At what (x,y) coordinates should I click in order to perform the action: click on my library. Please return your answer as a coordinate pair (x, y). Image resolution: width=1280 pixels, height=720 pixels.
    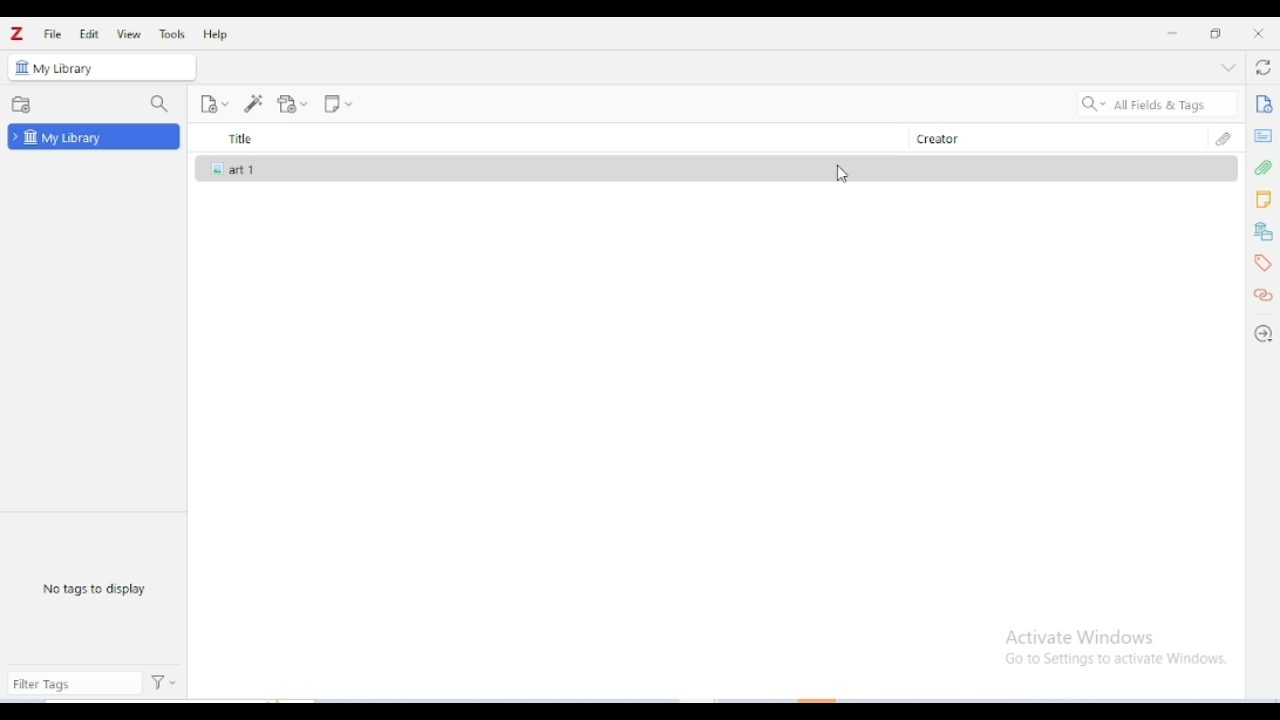
    Looking at the image, I should click on (94, 136).